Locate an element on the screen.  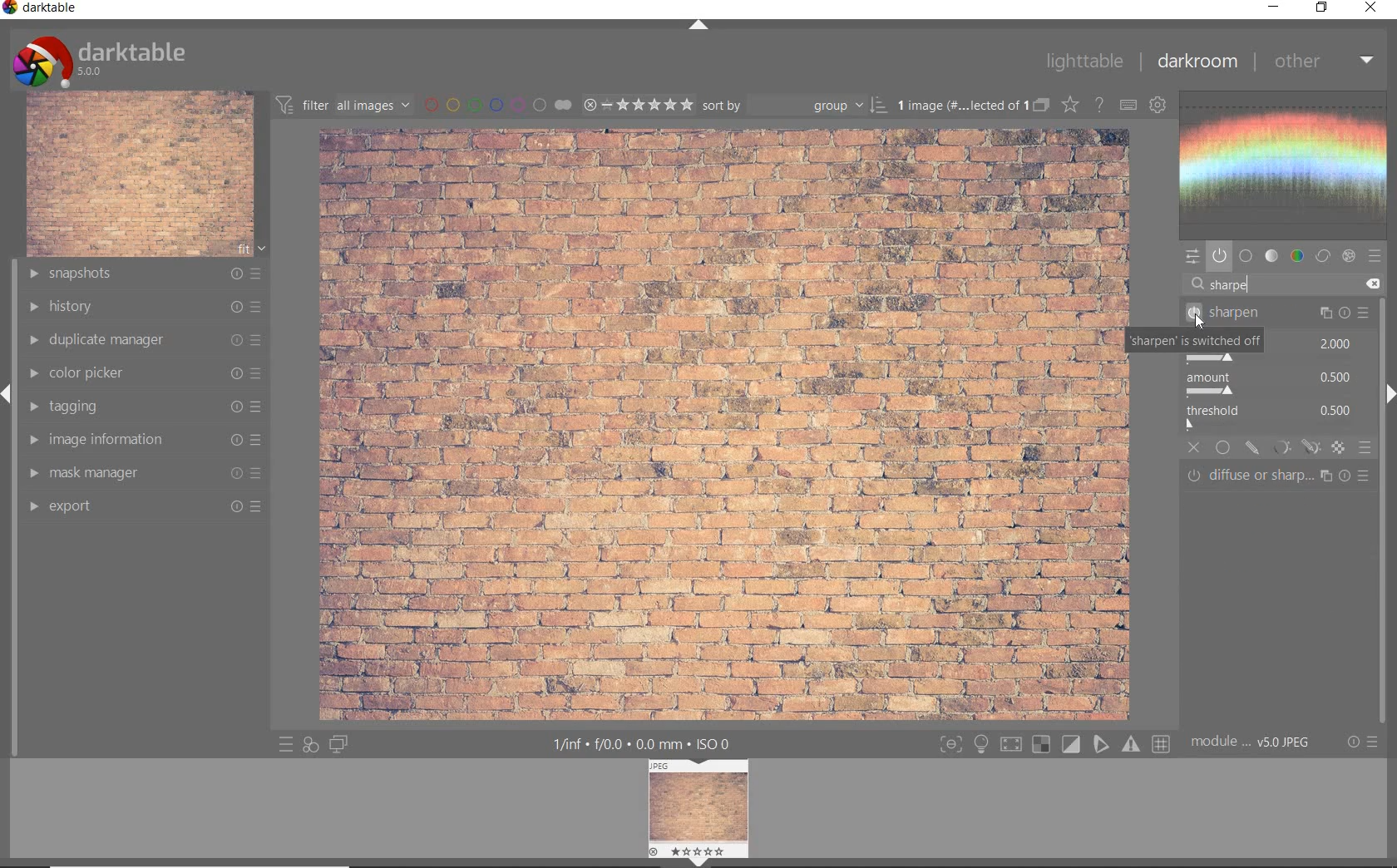
SHARPEN is located at coordinates (1252, 285).